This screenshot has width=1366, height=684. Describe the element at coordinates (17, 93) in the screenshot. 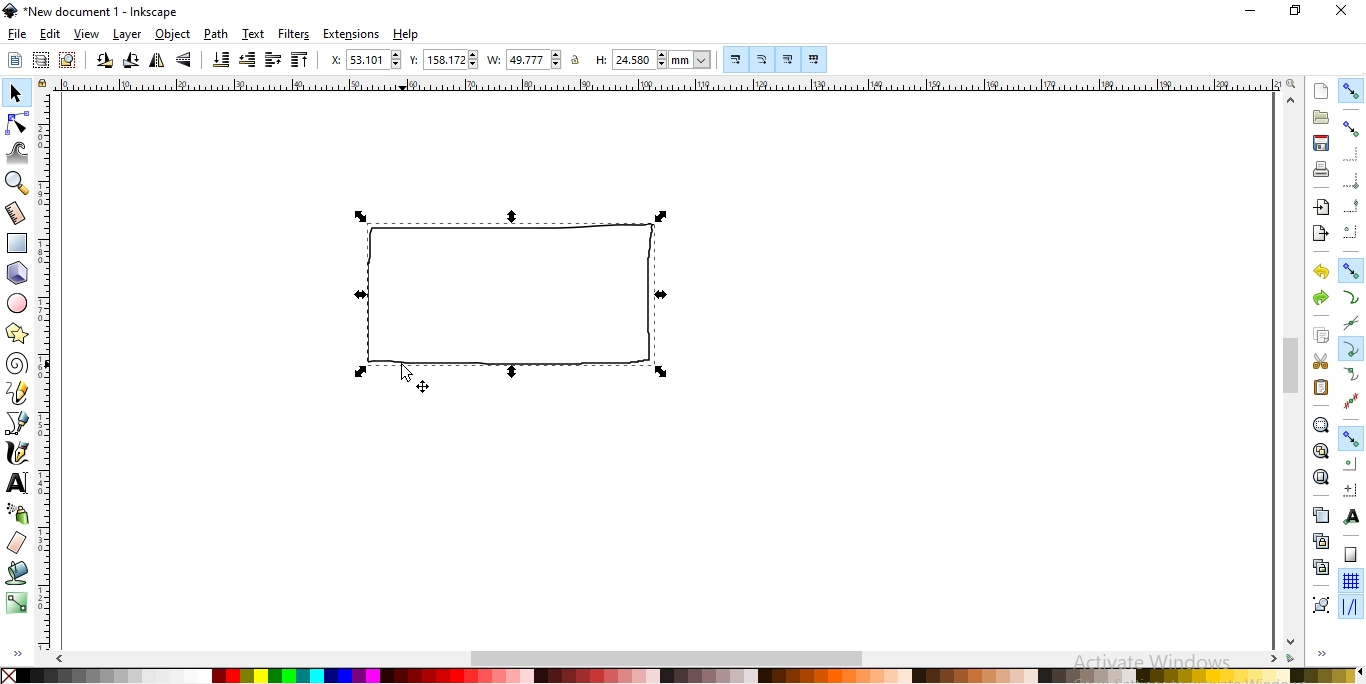

I see `select and transform objects` at that location.